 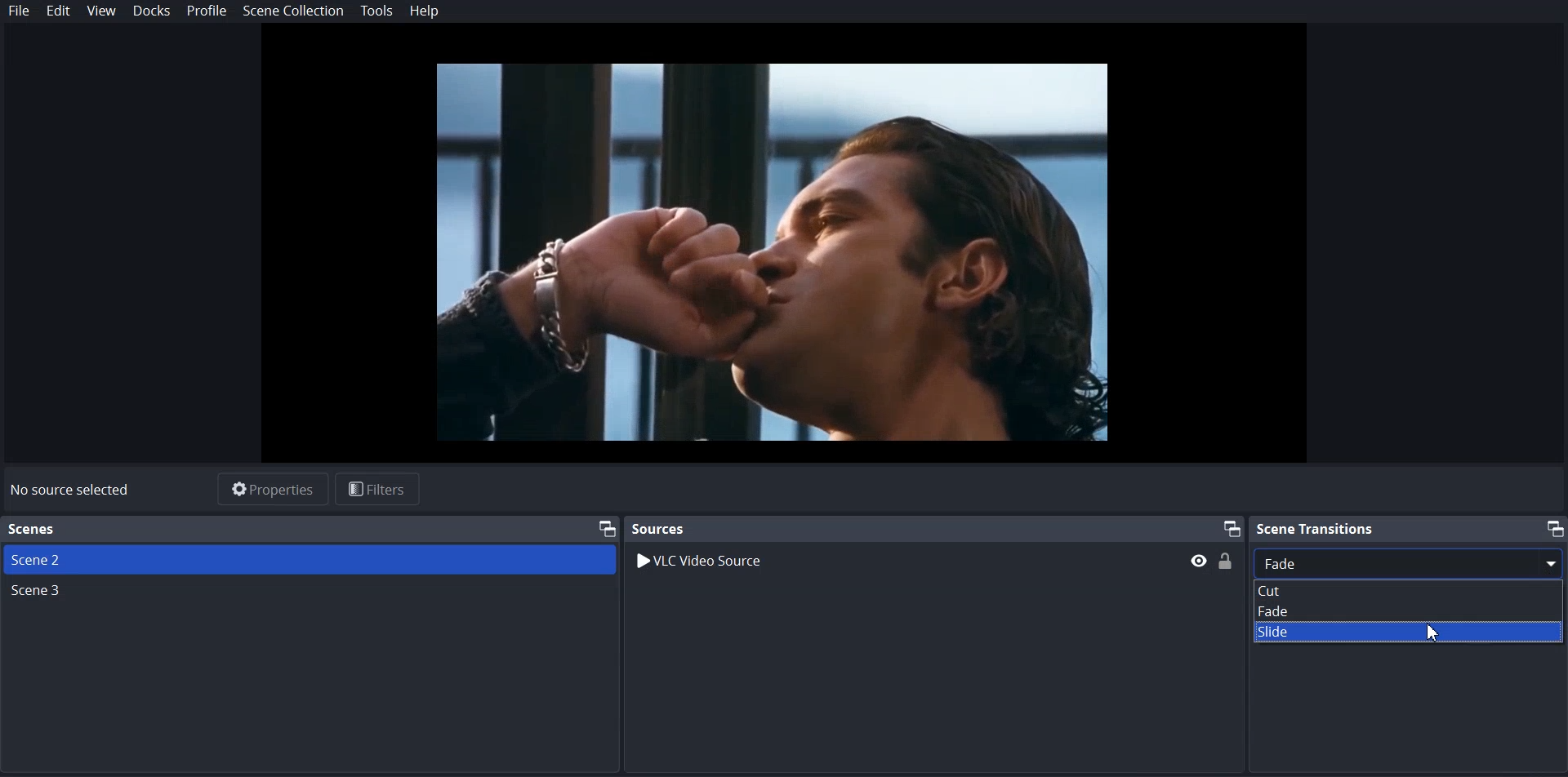 I want to click on VLC Video Source , so click(x=704, y=563).